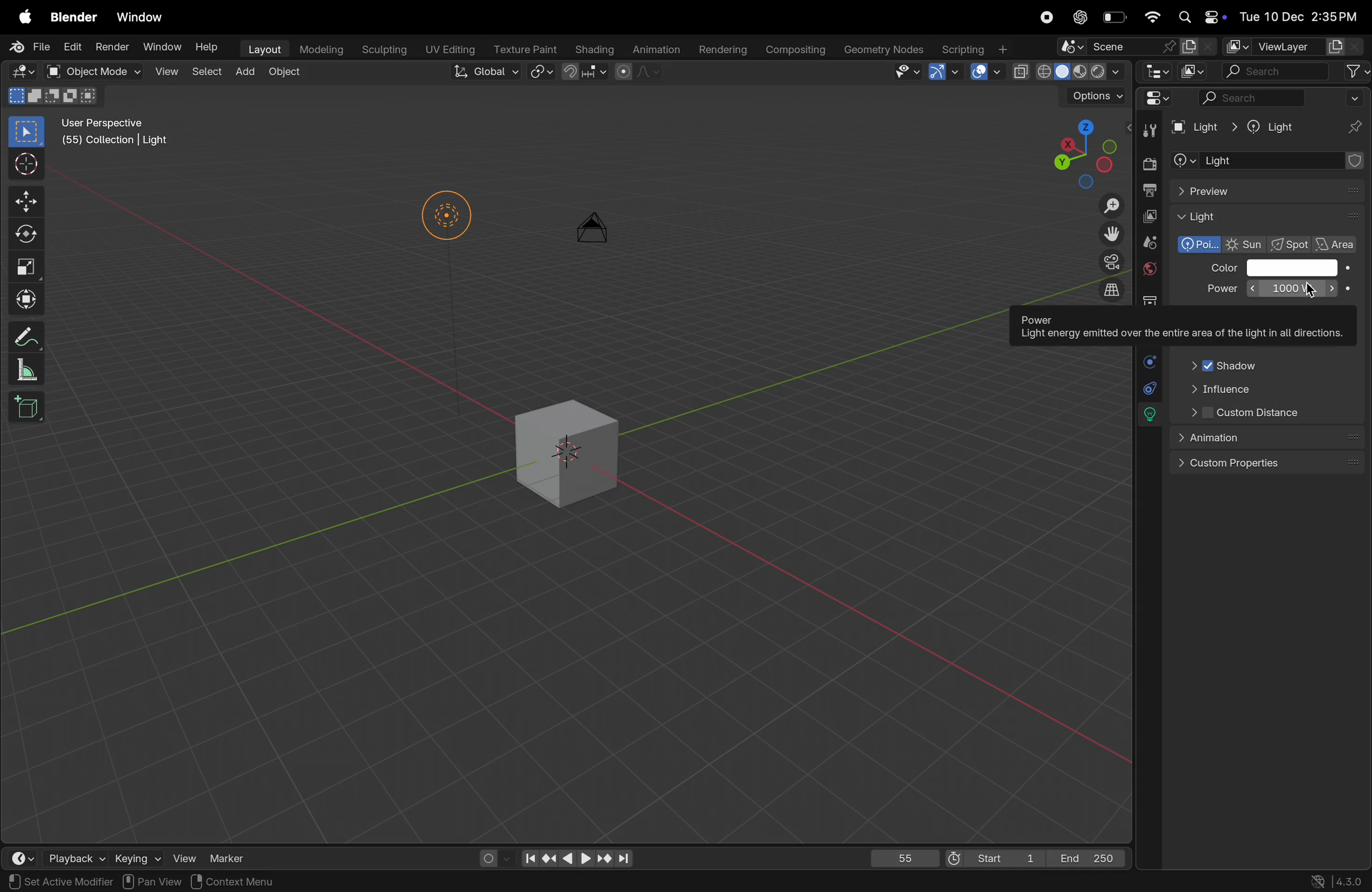 This screenshot has height=892, width=1372. Describe the element at coordinates (228, 857) in the screenshot. I see `marker` at that location.